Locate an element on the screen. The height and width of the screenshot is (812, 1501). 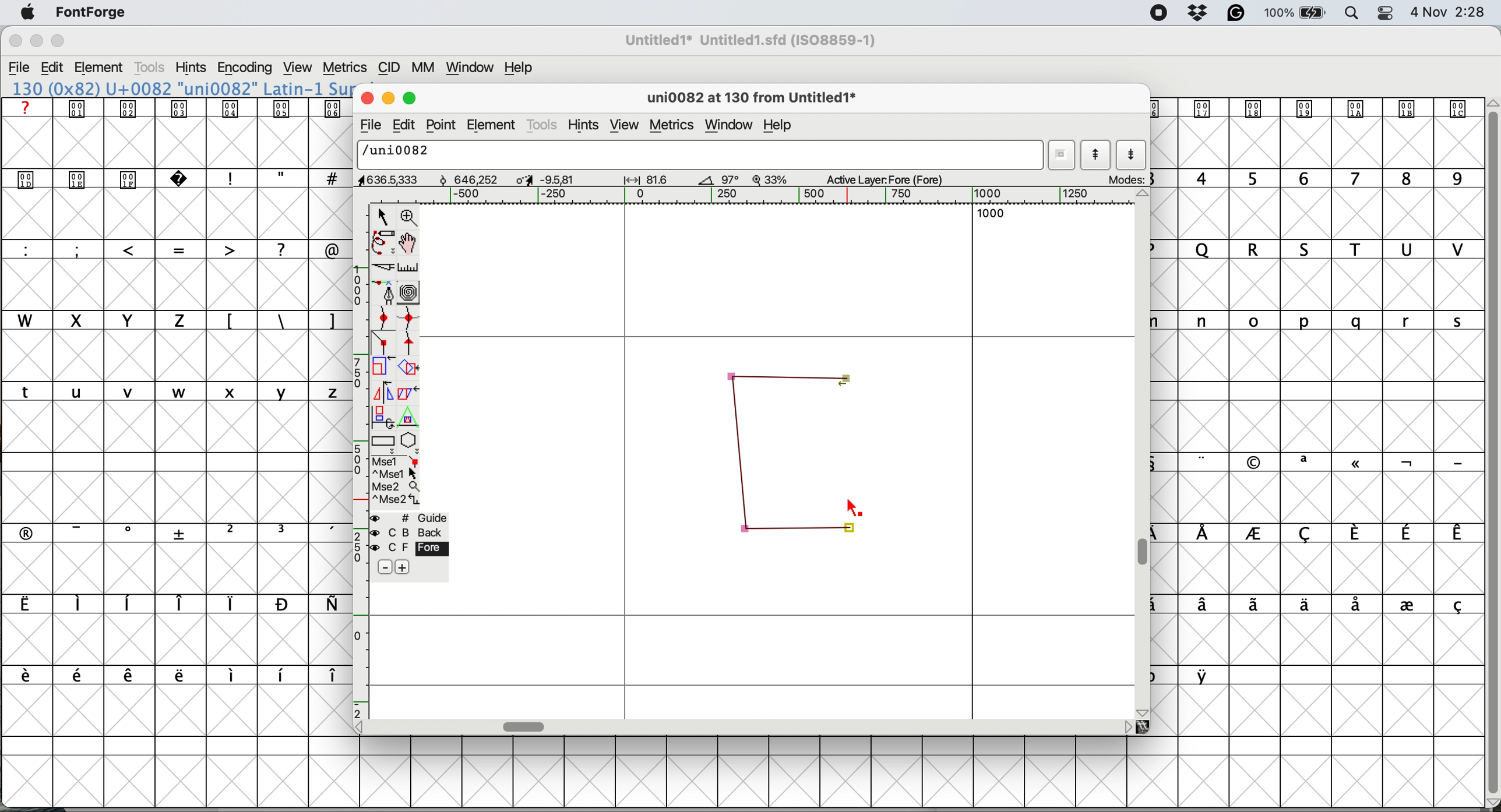
mode is located at coordinates (1124, 179).